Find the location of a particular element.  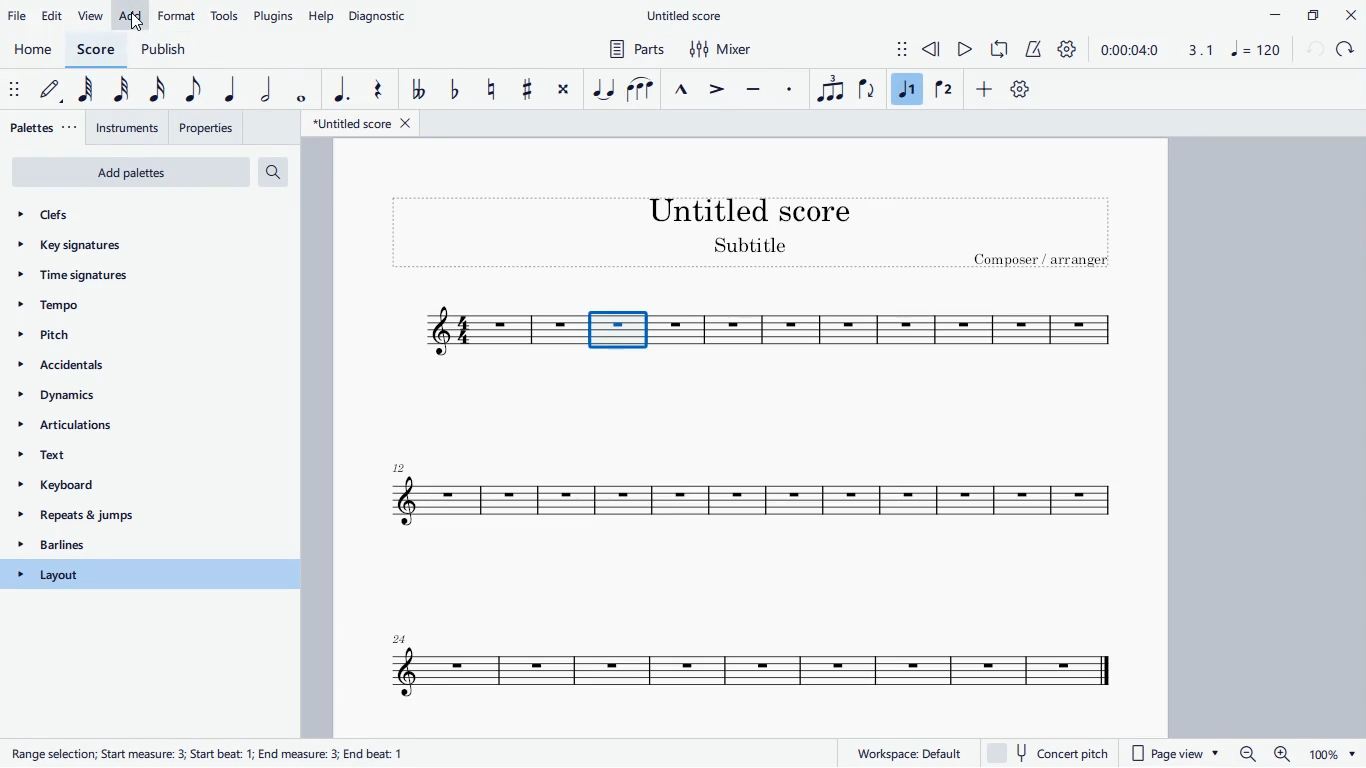

clefs is located at coordinates (129, 215).